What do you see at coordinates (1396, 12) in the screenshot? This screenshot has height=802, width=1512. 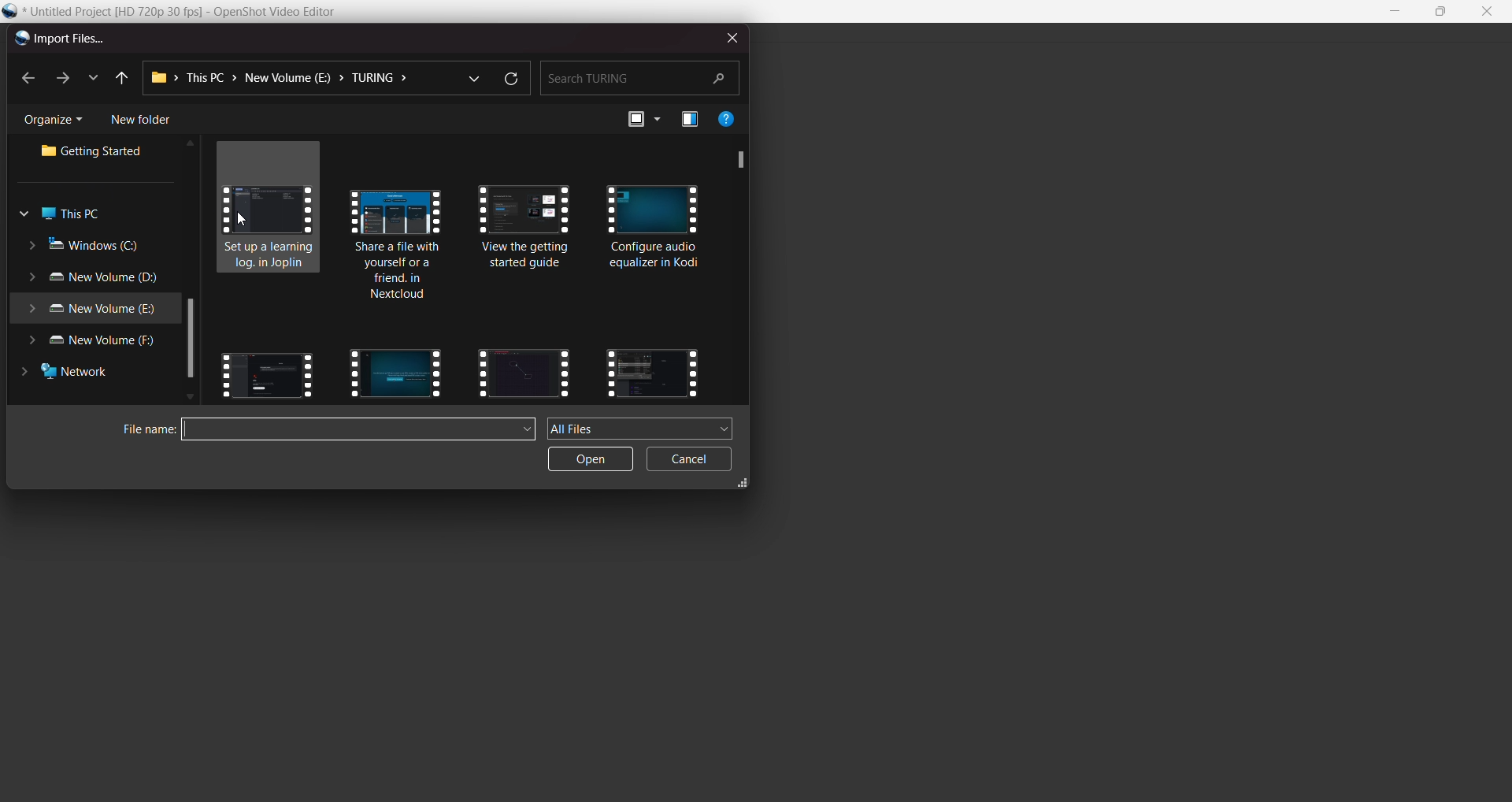 I see `minimise` at bounding box center [1396, 12].